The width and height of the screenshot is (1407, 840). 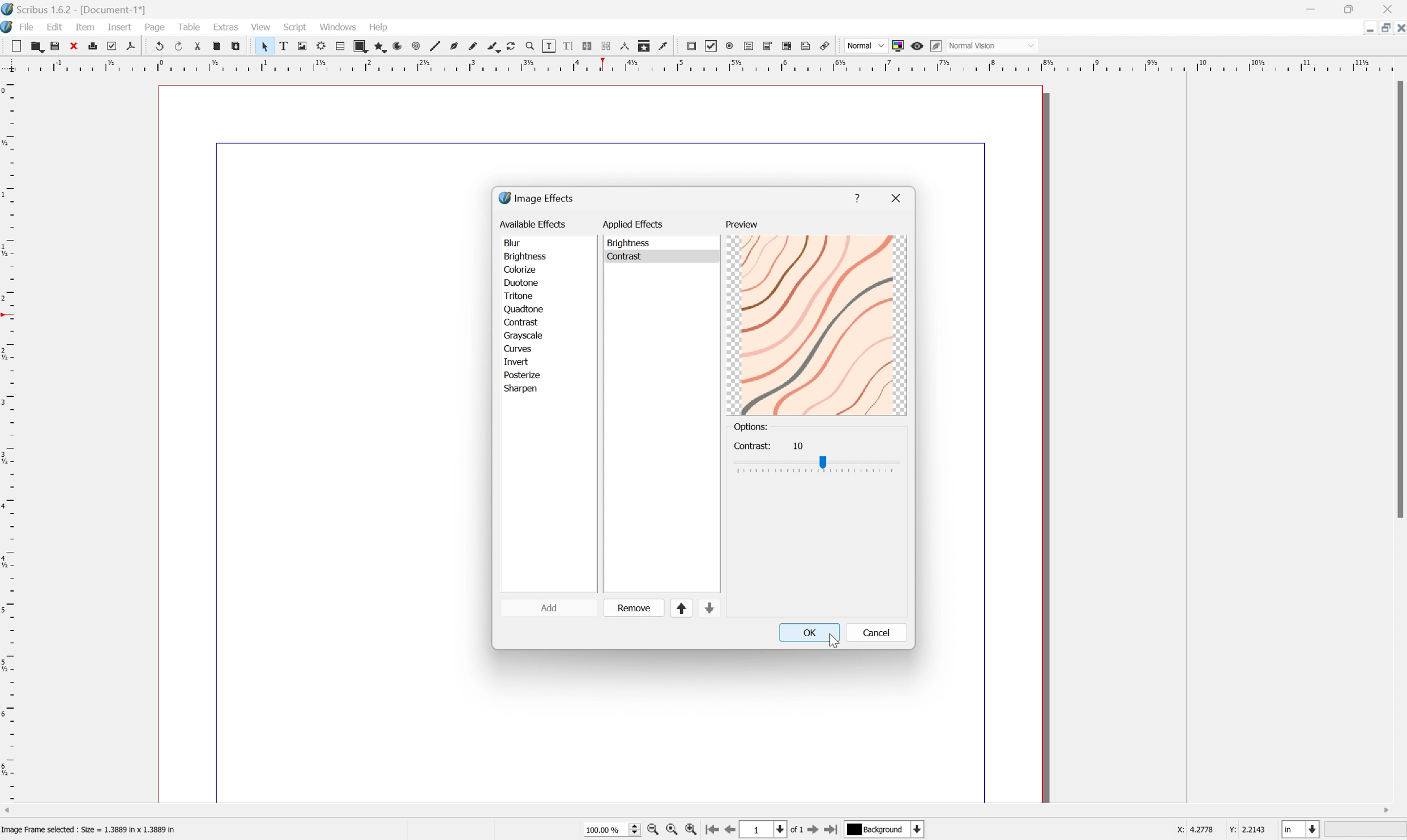 I want to click on OK, so click(x=809, y=632).